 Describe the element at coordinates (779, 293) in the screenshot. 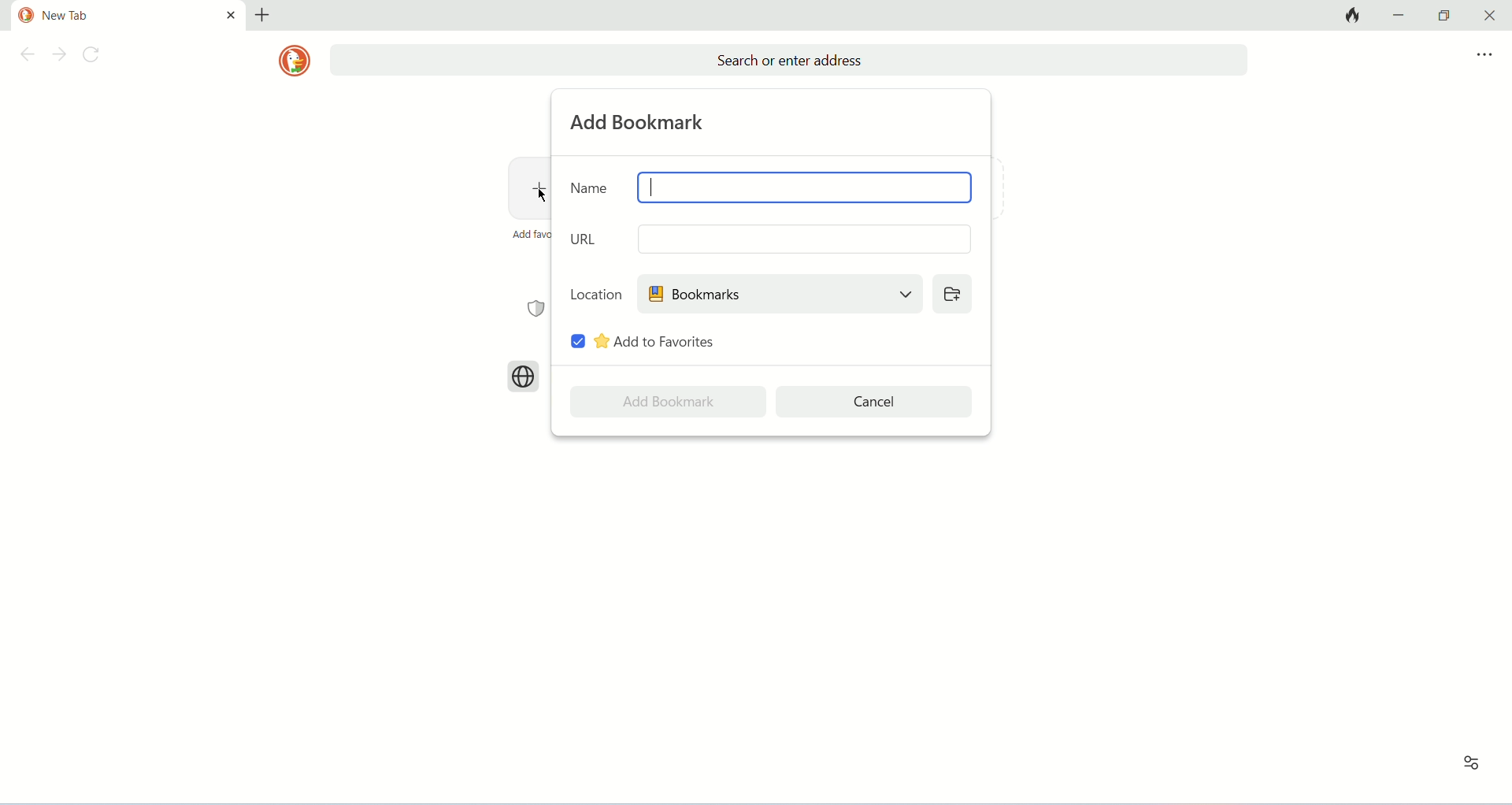

I see `bookmarks` at that location.